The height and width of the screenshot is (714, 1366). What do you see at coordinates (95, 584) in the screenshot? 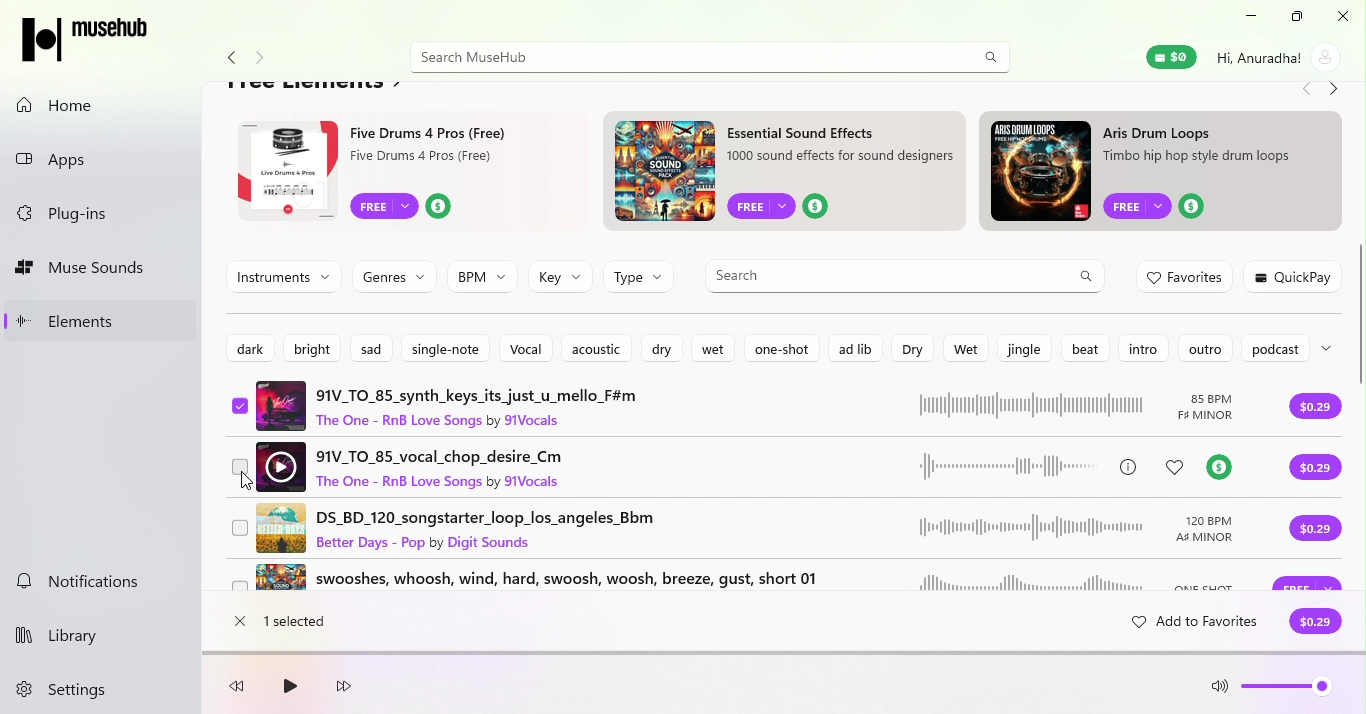
I see `Notifications` at bounding box center [95, 584].